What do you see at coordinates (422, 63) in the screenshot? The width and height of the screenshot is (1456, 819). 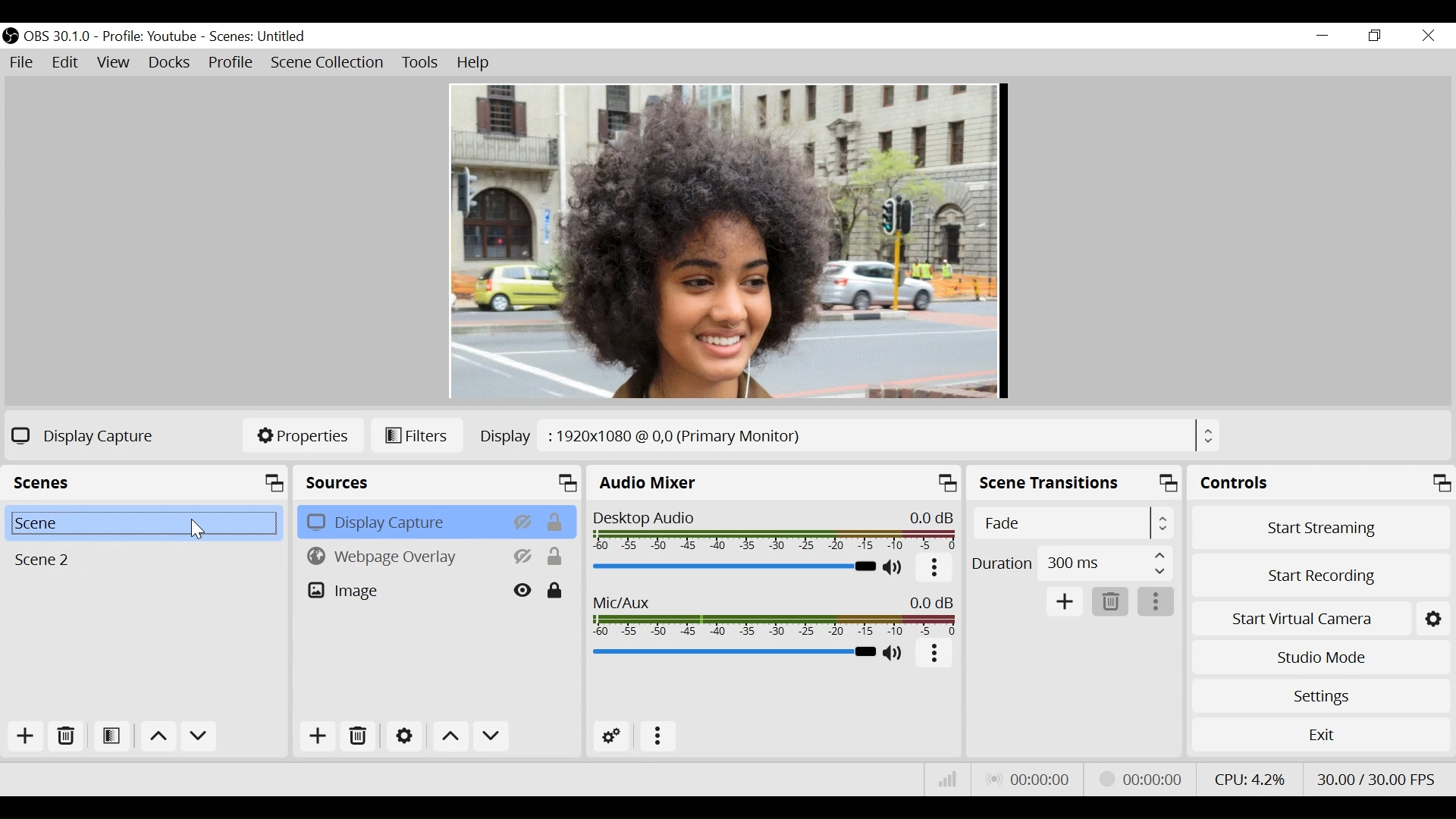 I see `Tools` at bounding box center [422, 63].